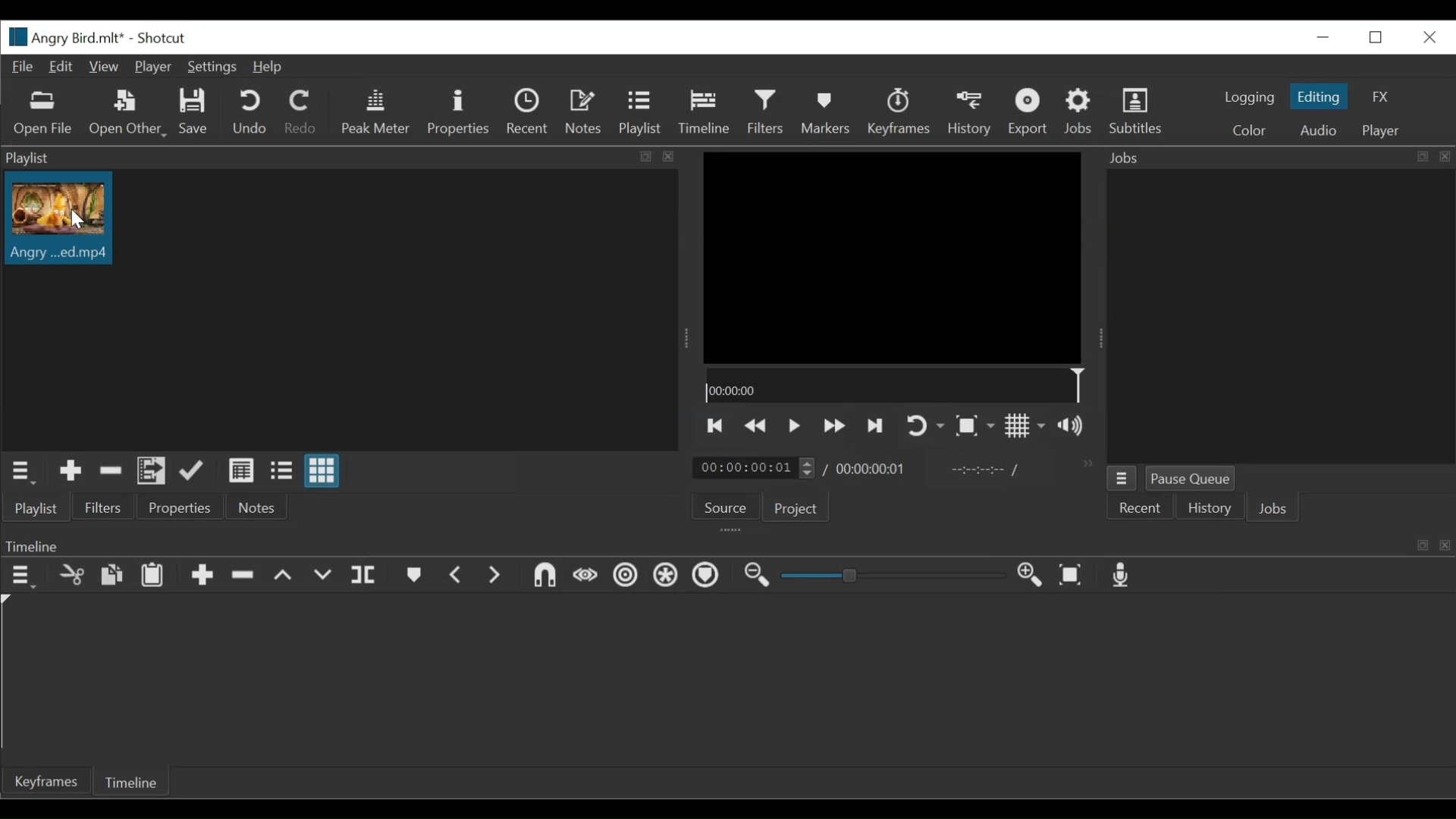  What do you see at coordinates (1210, 510) in the screenshot?
I see `History` at bounding box center [1210, 510].